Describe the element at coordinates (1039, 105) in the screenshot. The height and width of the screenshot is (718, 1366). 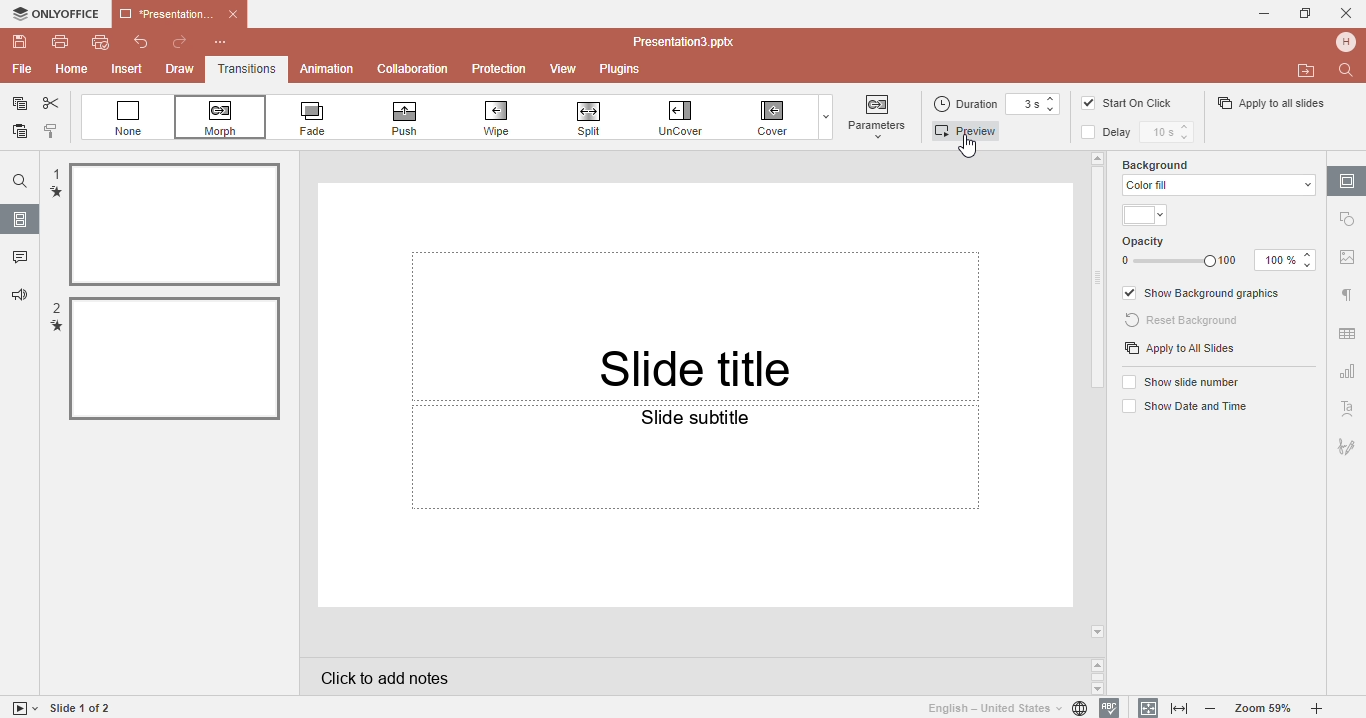
I see `Duration time` at that location.